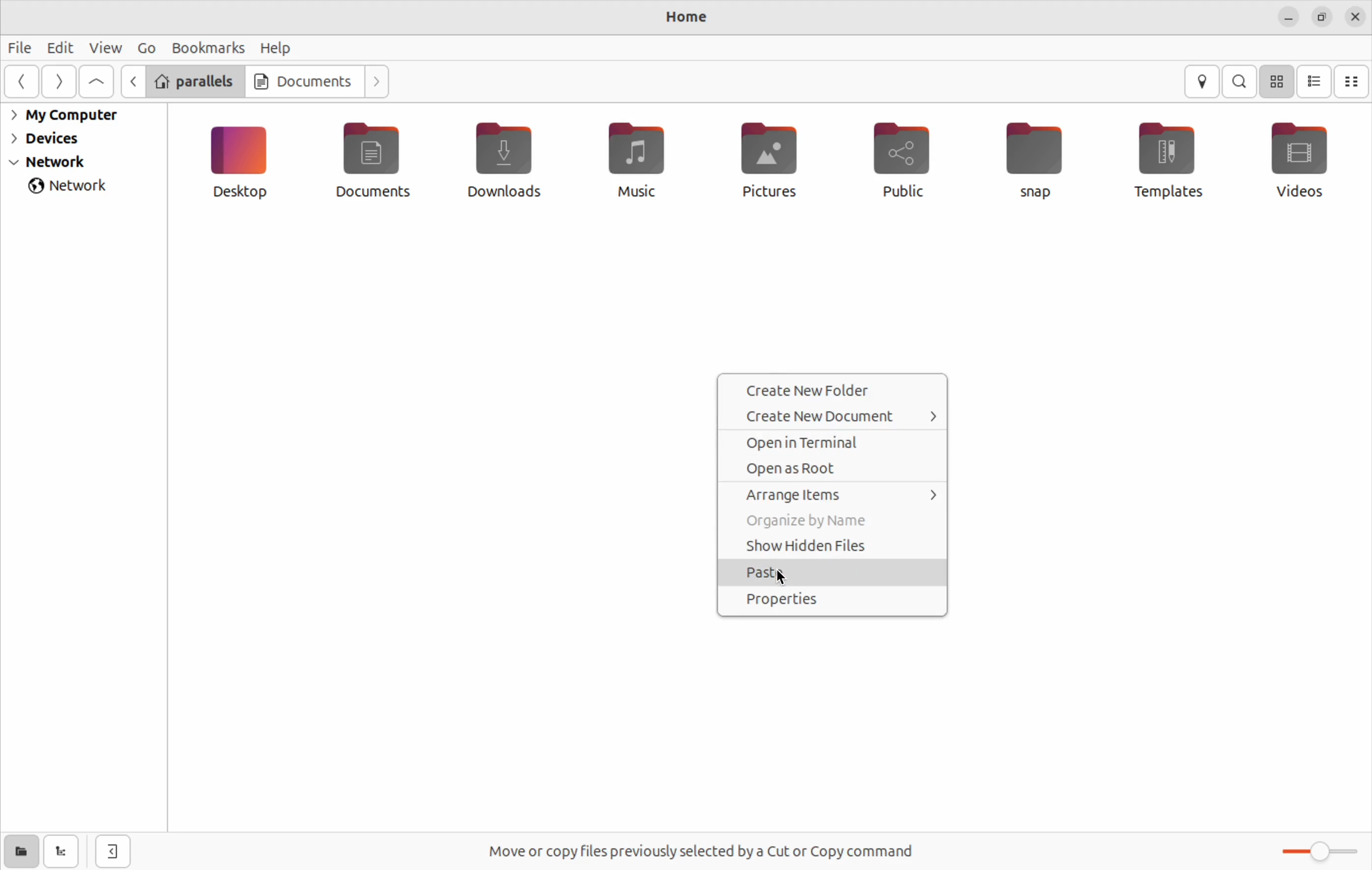  Describe the element at coordinates (71, 116) in the screenshot. I see `My computer` at that location.